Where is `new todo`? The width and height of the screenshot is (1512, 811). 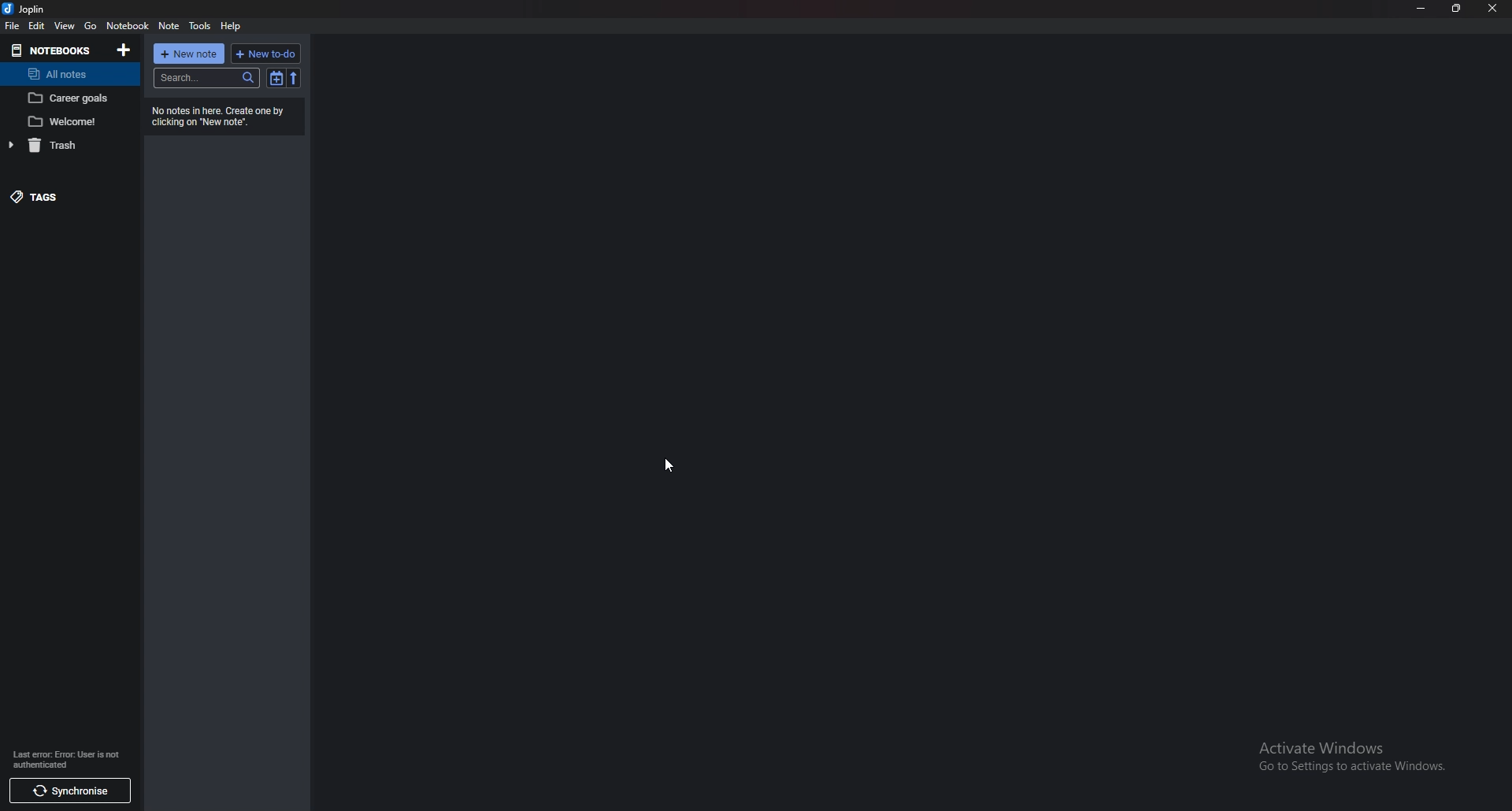 new todo is located at coordinates (266, 54).